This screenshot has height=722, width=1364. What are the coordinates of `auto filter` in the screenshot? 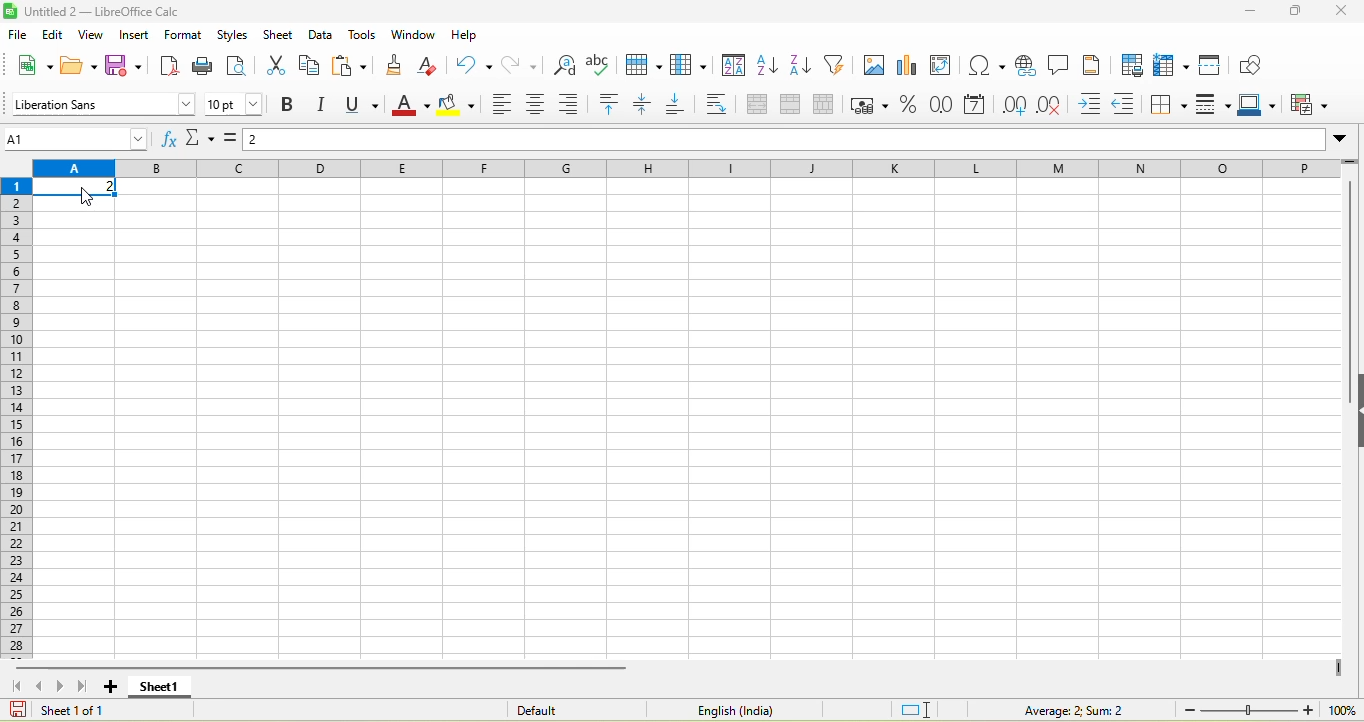 It's located at (838, 64).